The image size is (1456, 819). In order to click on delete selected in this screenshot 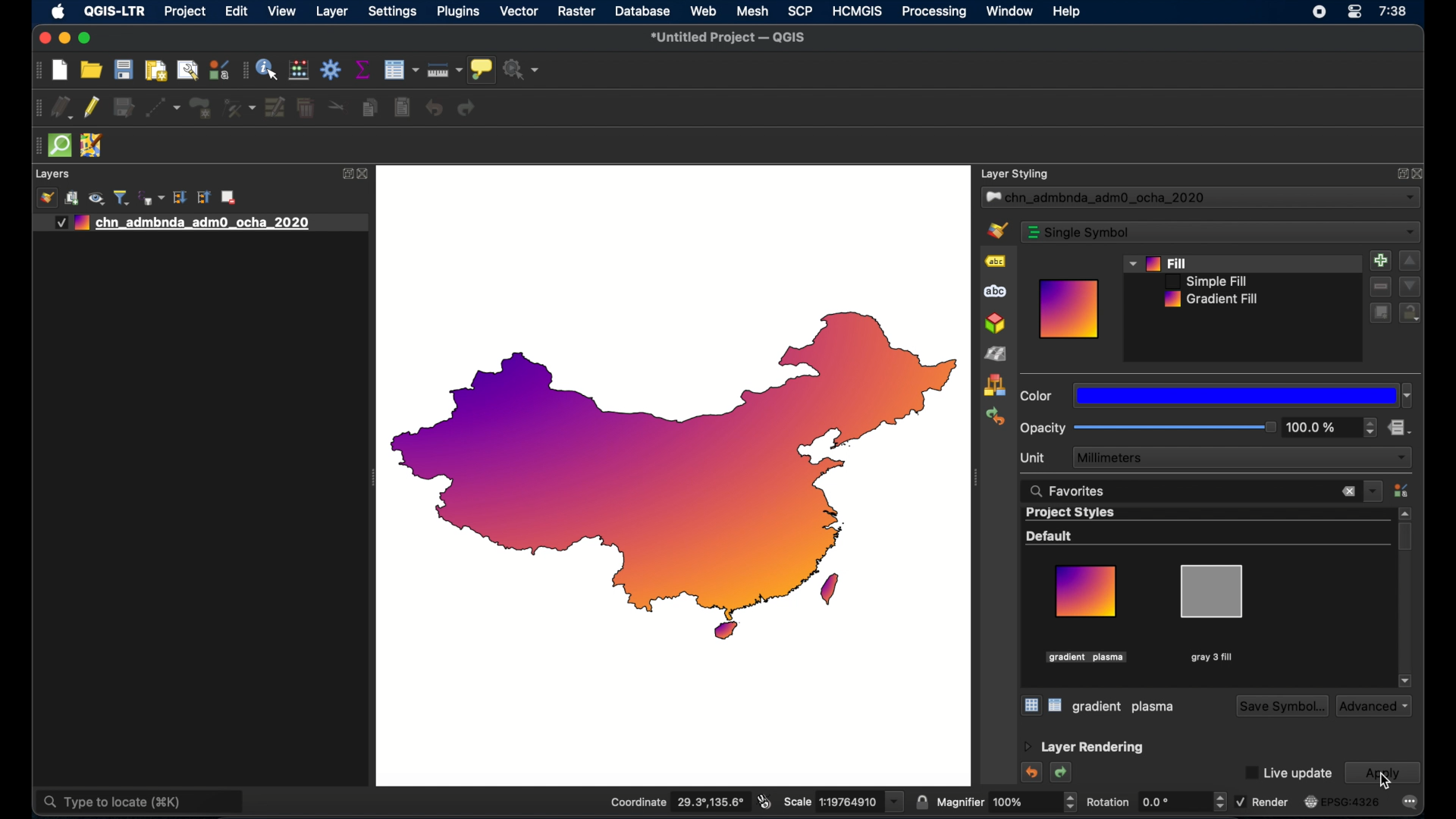, I will do `click(307, 108)`.